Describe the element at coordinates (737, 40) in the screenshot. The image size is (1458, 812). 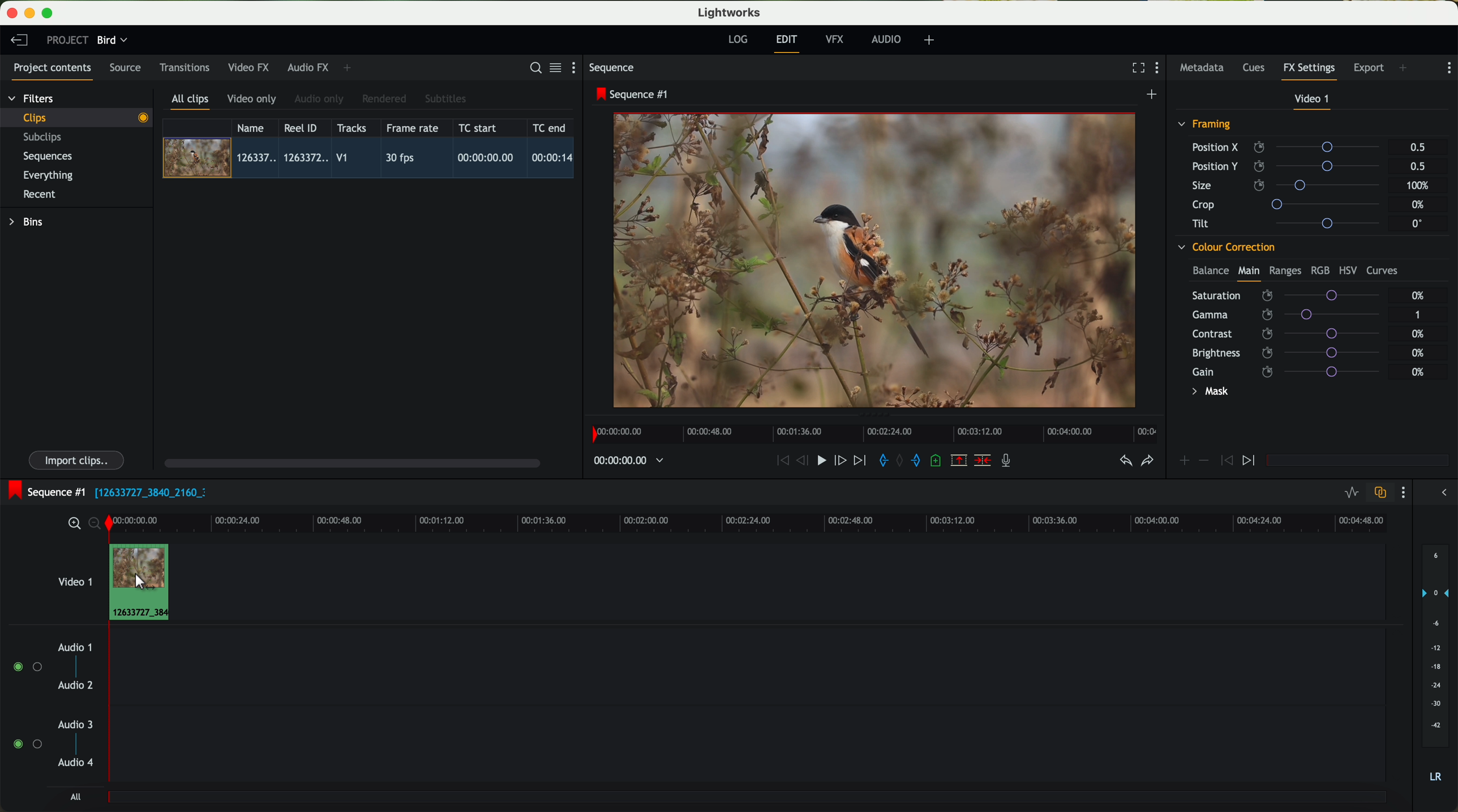
I see `log` at that location.